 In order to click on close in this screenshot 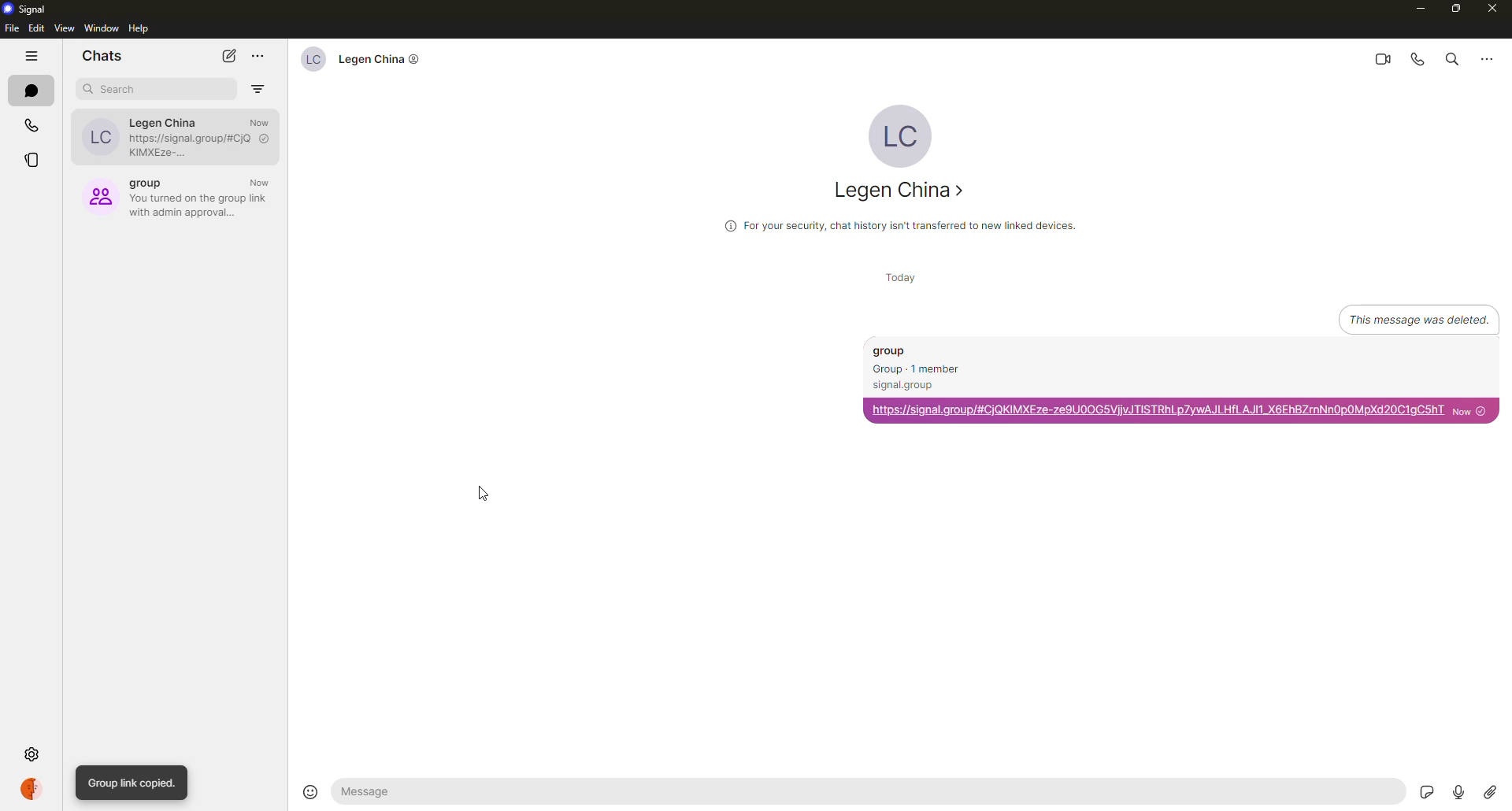, I will do `click(1492, 9)`.